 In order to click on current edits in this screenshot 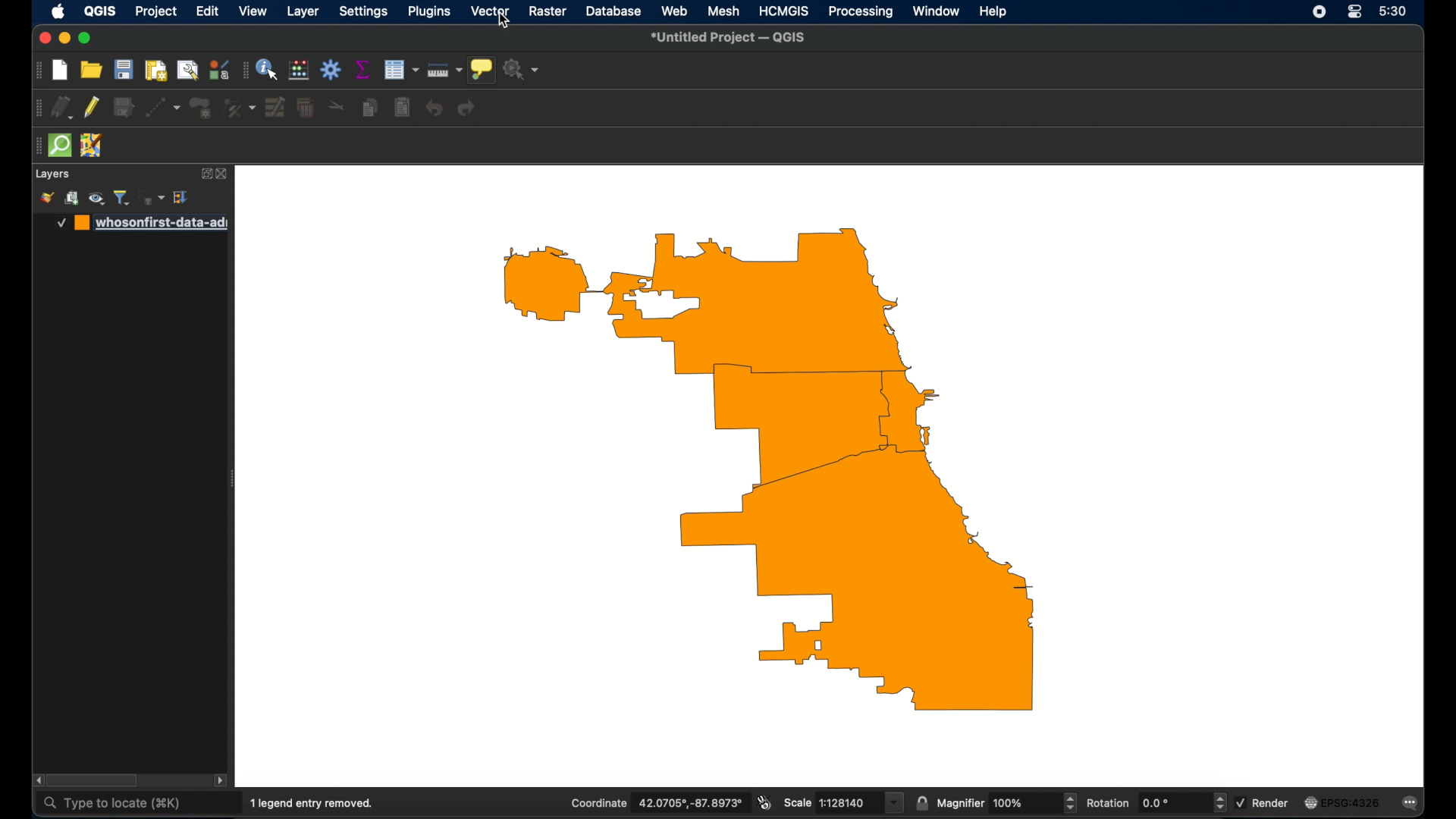, I will do `click(61, 108)`.